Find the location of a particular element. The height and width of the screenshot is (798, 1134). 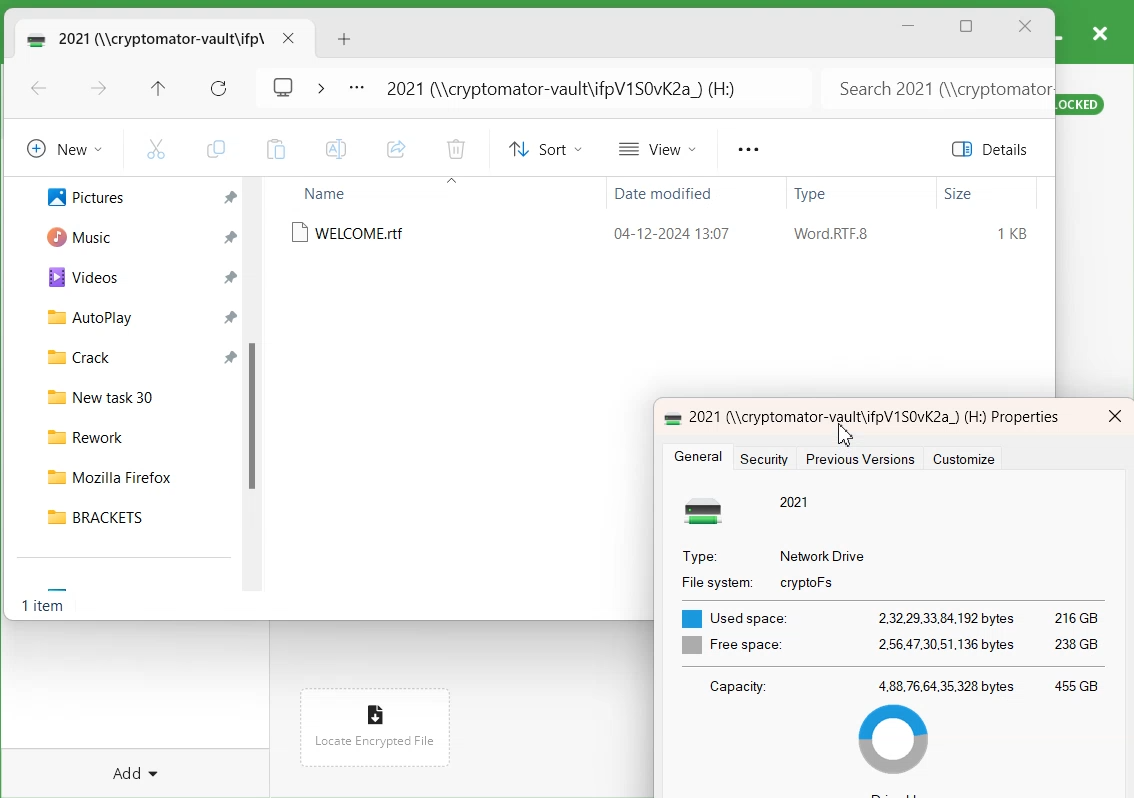

1 KB is located at coordinates (1014, 234).